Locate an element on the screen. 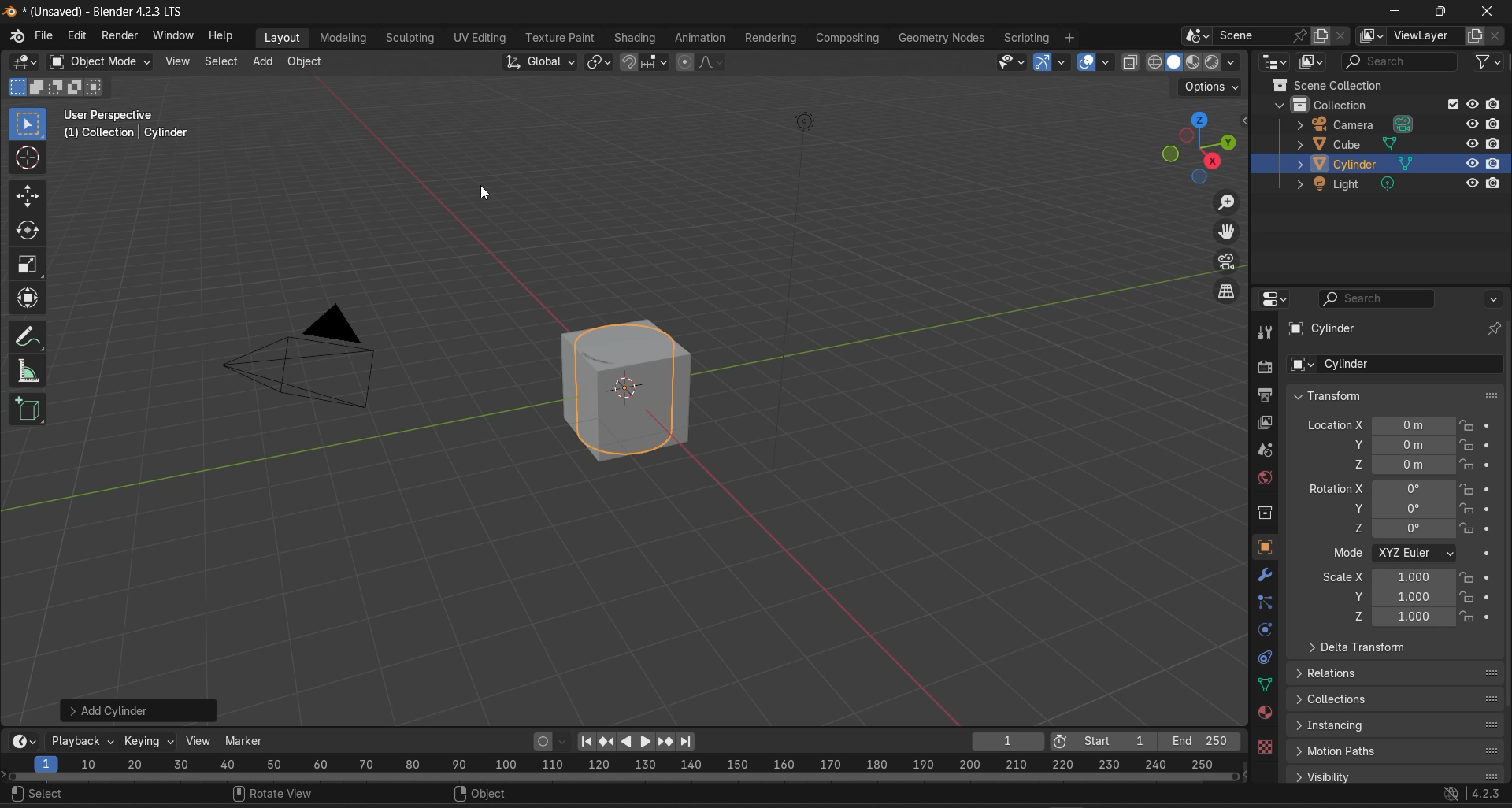 This screenshot has width=1512, height=808. transform is located at coordinates (1388, 395).